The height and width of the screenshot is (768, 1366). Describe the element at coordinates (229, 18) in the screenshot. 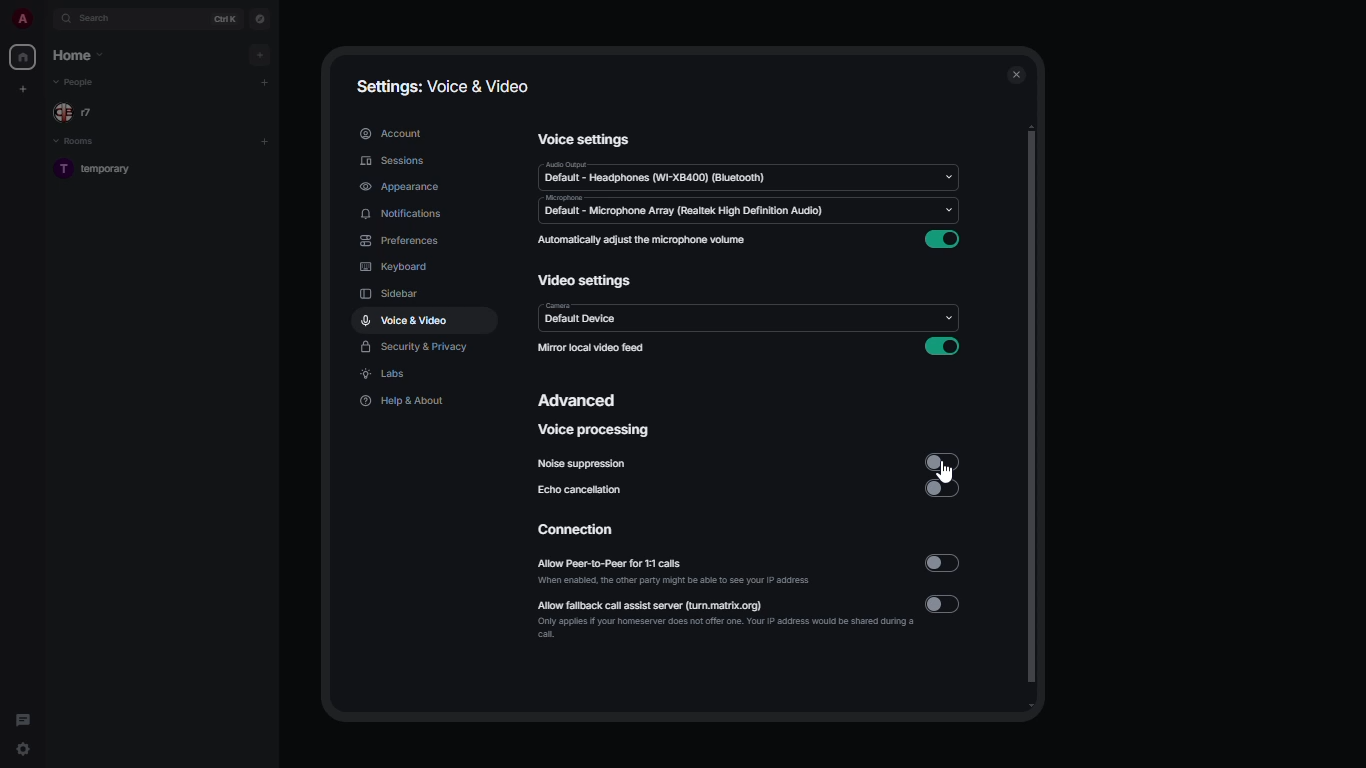

I see `ctrl K` at that location.